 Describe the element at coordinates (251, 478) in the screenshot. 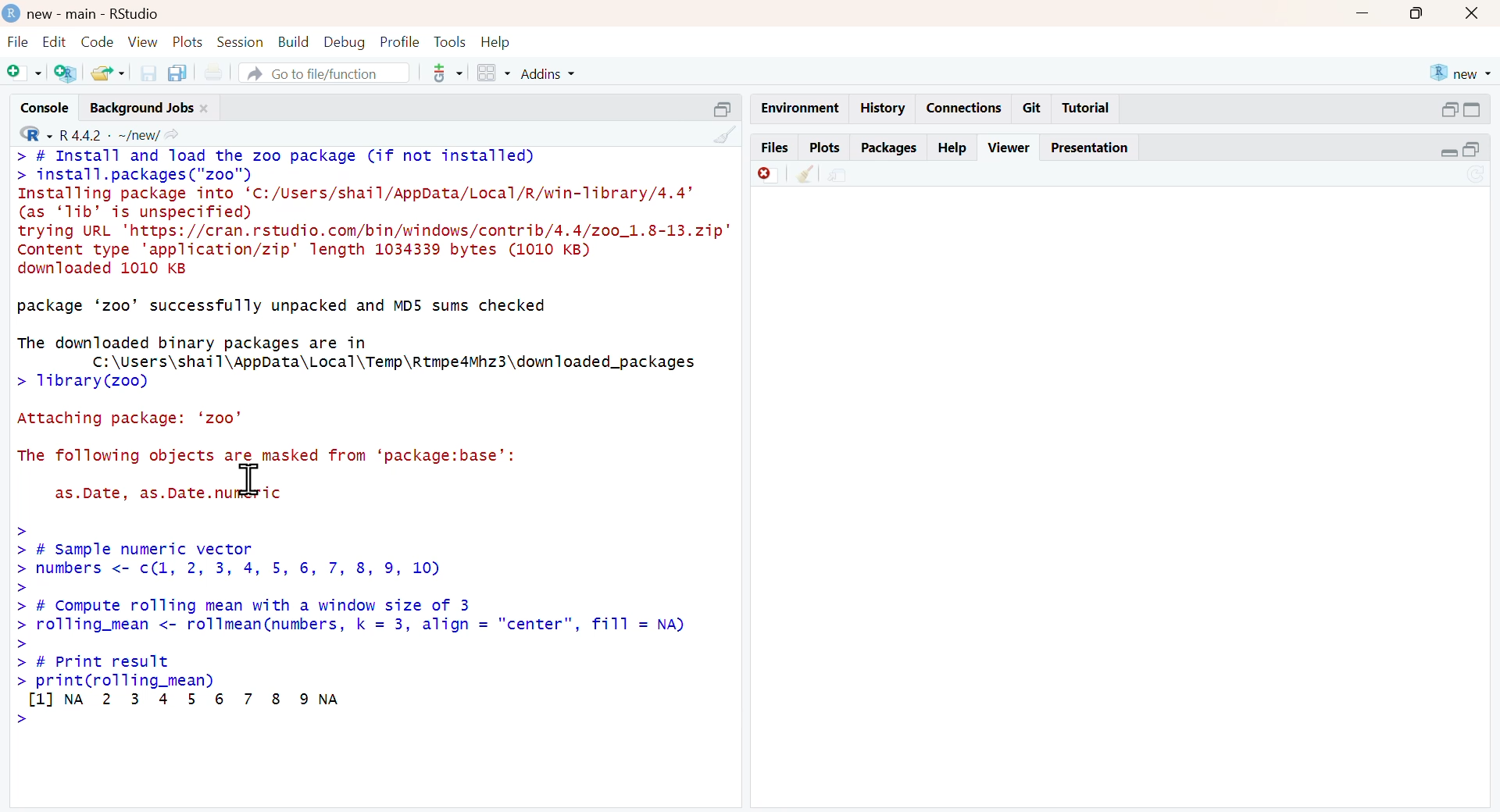

I see `cursor` at that location.